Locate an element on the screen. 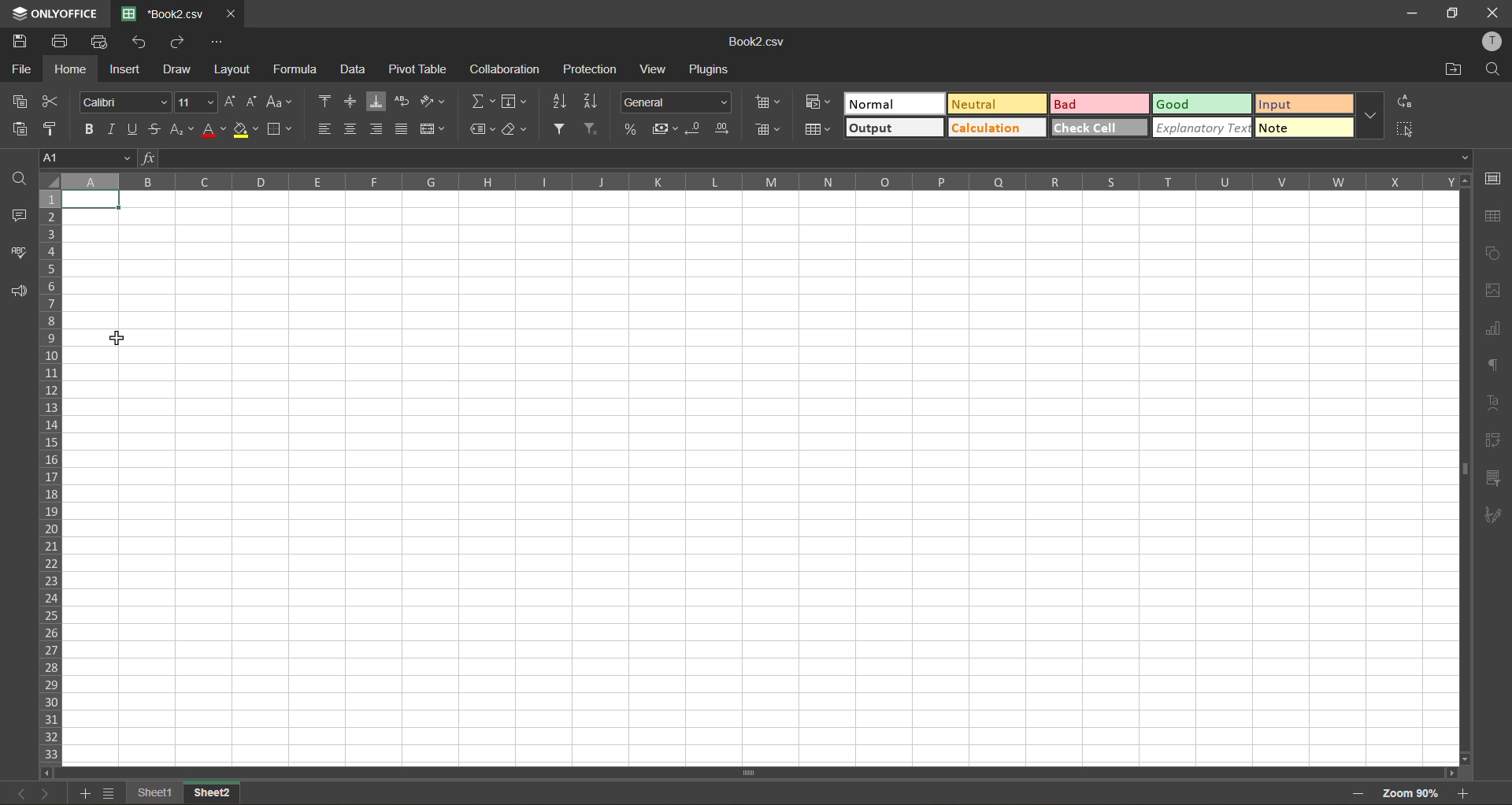  copy is located at coordinates (20, 101).